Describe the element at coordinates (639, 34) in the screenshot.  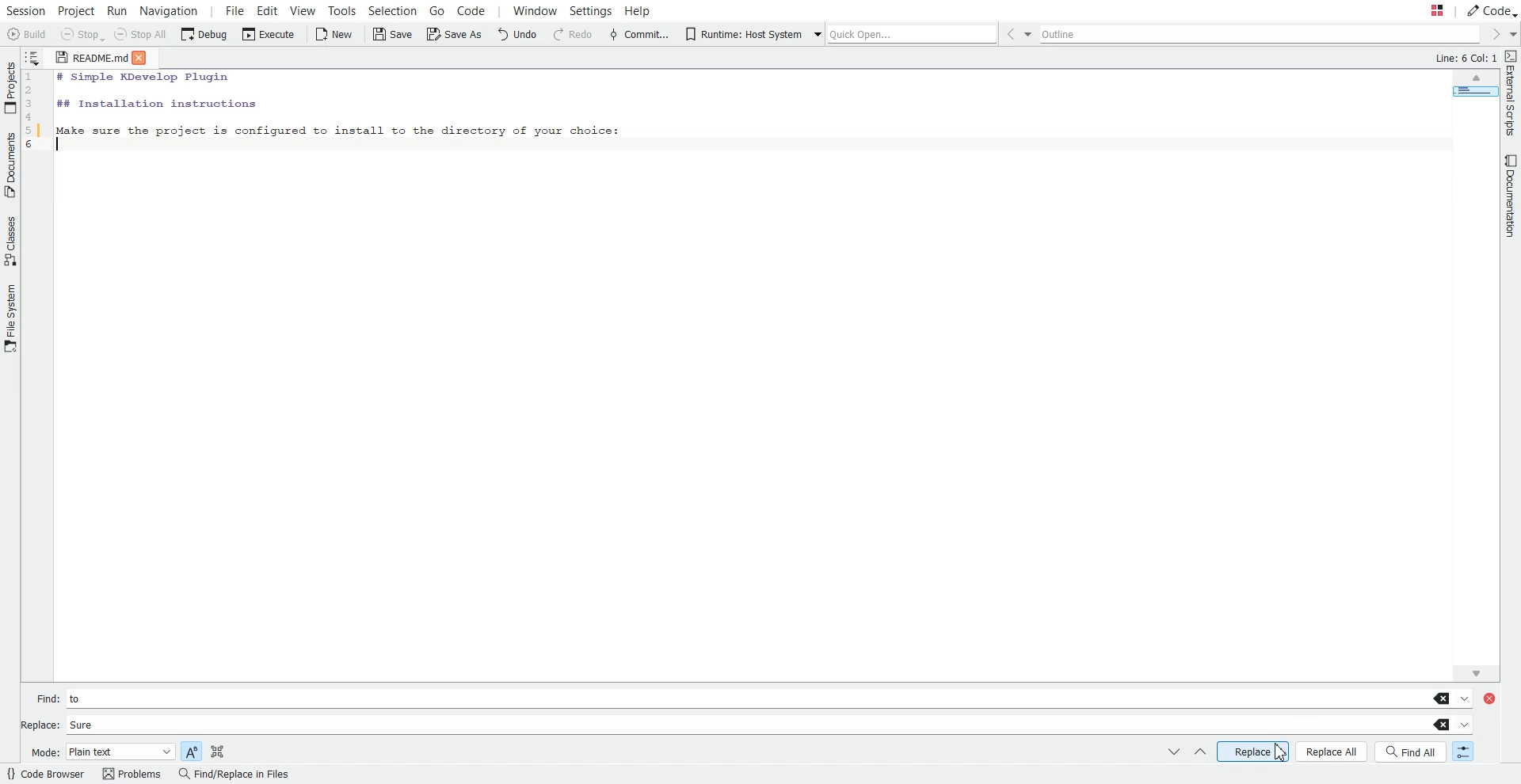
I see `Commit` at that location.